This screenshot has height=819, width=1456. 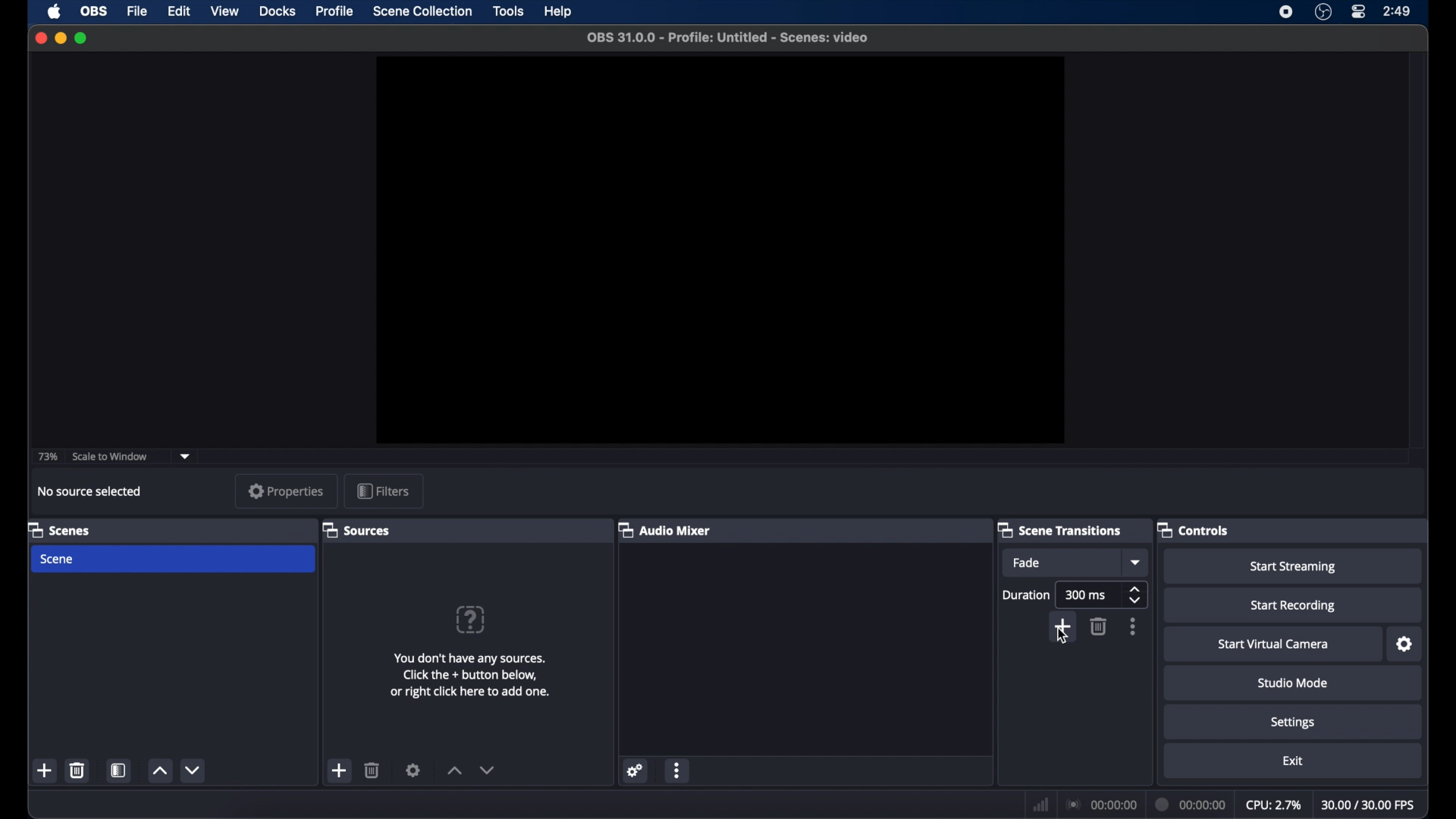 I want to click on view, so click(x=224, y=10).